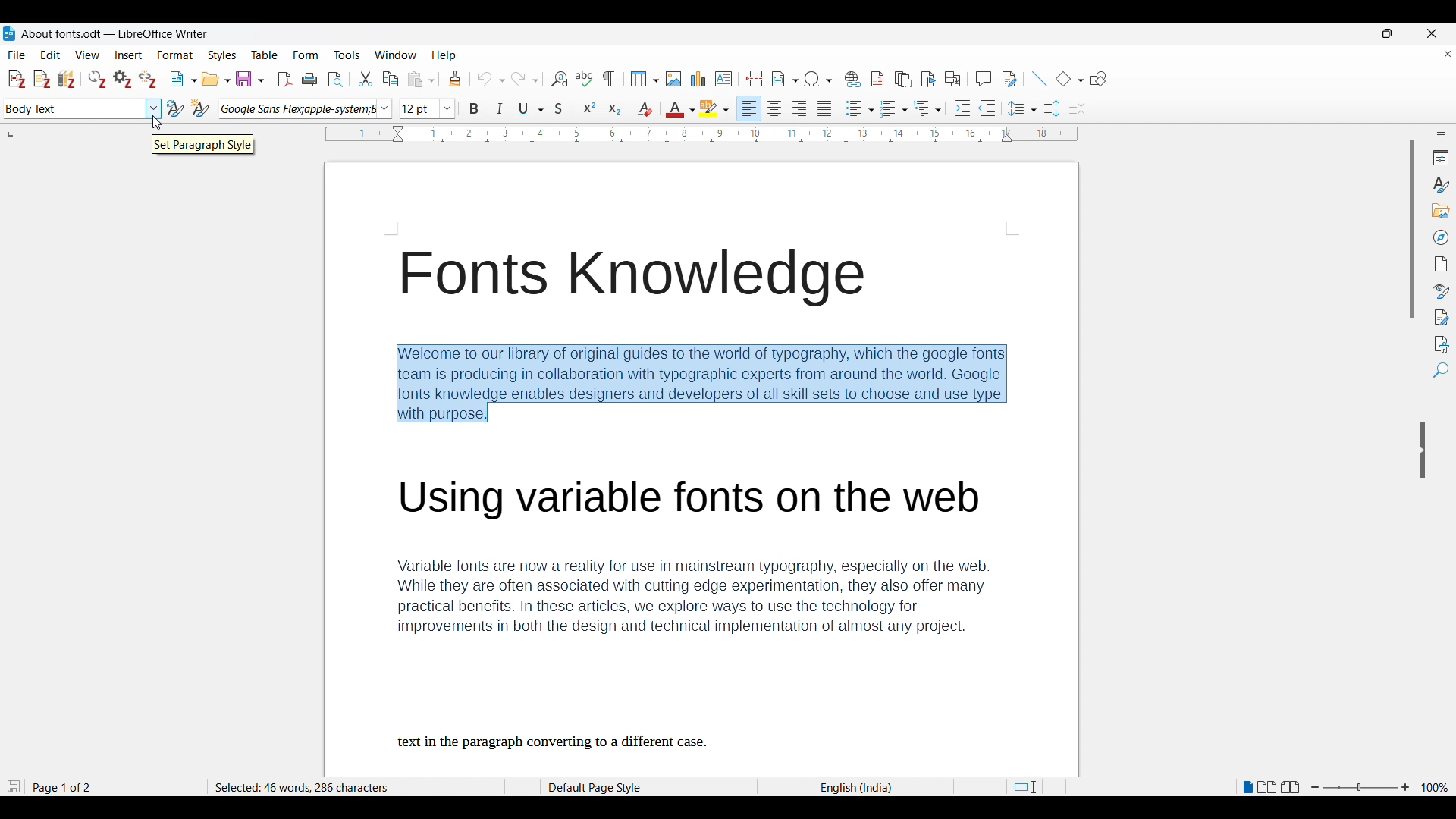 The width and height of the screenshot is (1456, 819). What do you see at coordinates (894, 108) in the screenshot?
I see `Toggle ordered list` at bounding box center [894, 108].